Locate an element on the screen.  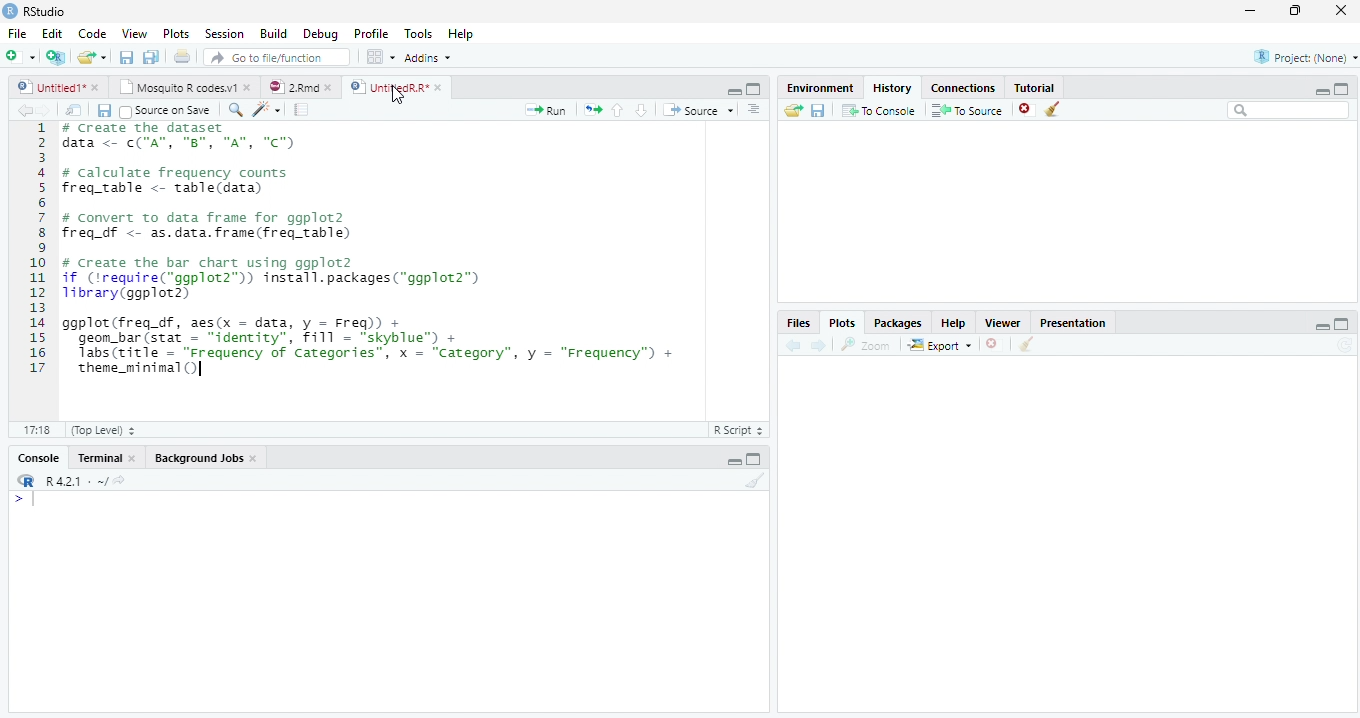
Clear Console is located at coordinates (753, 482).